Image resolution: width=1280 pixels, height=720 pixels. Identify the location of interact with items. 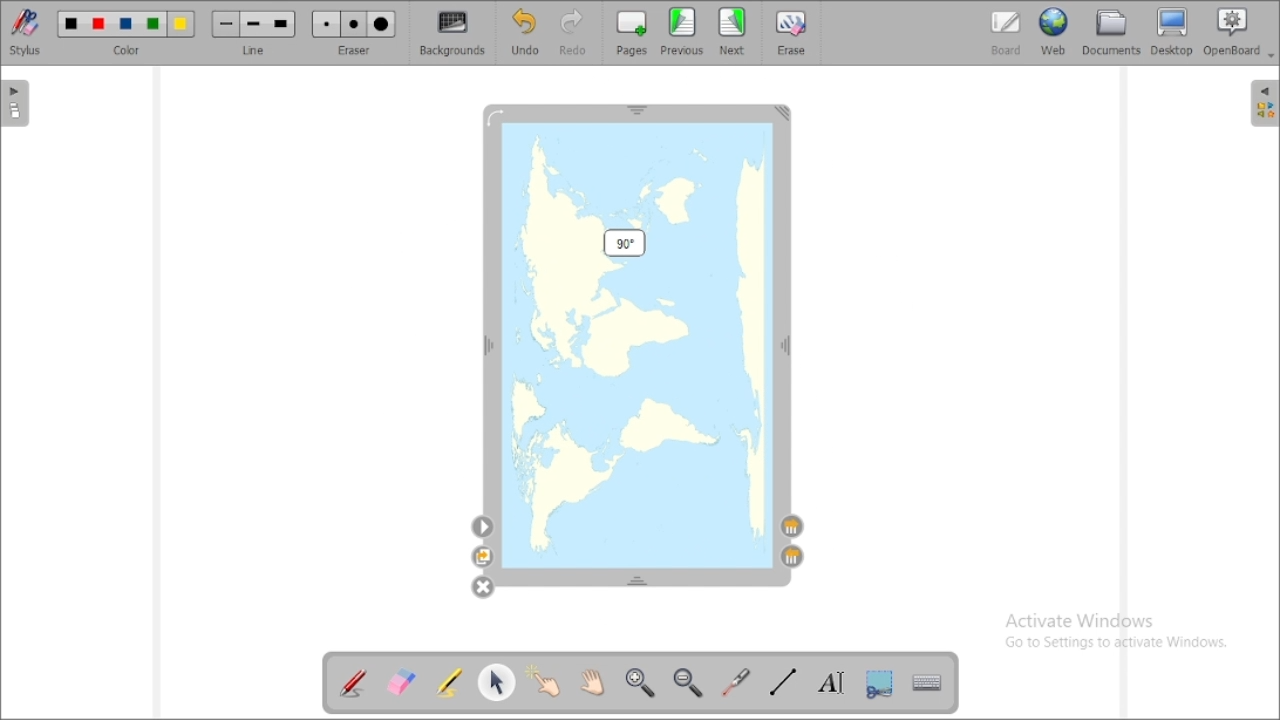
(543, 680).